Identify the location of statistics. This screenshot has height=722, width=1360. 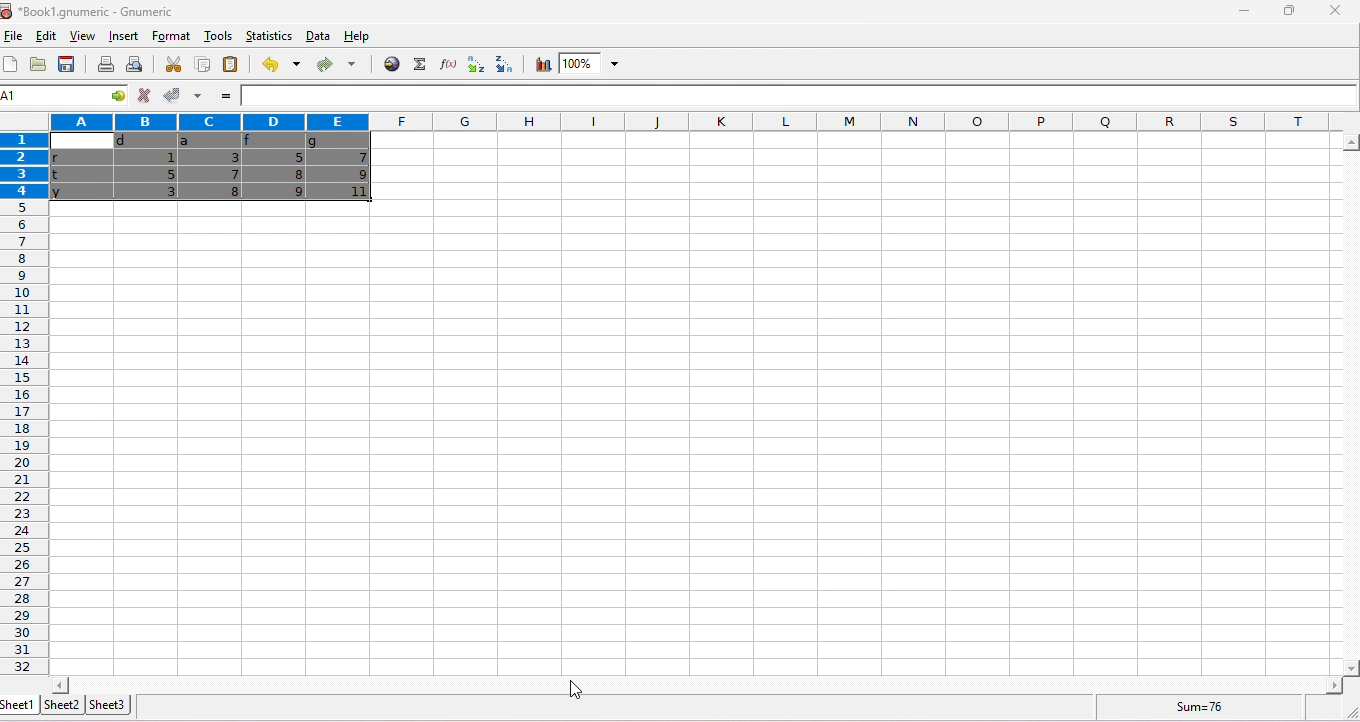
(267, 35).